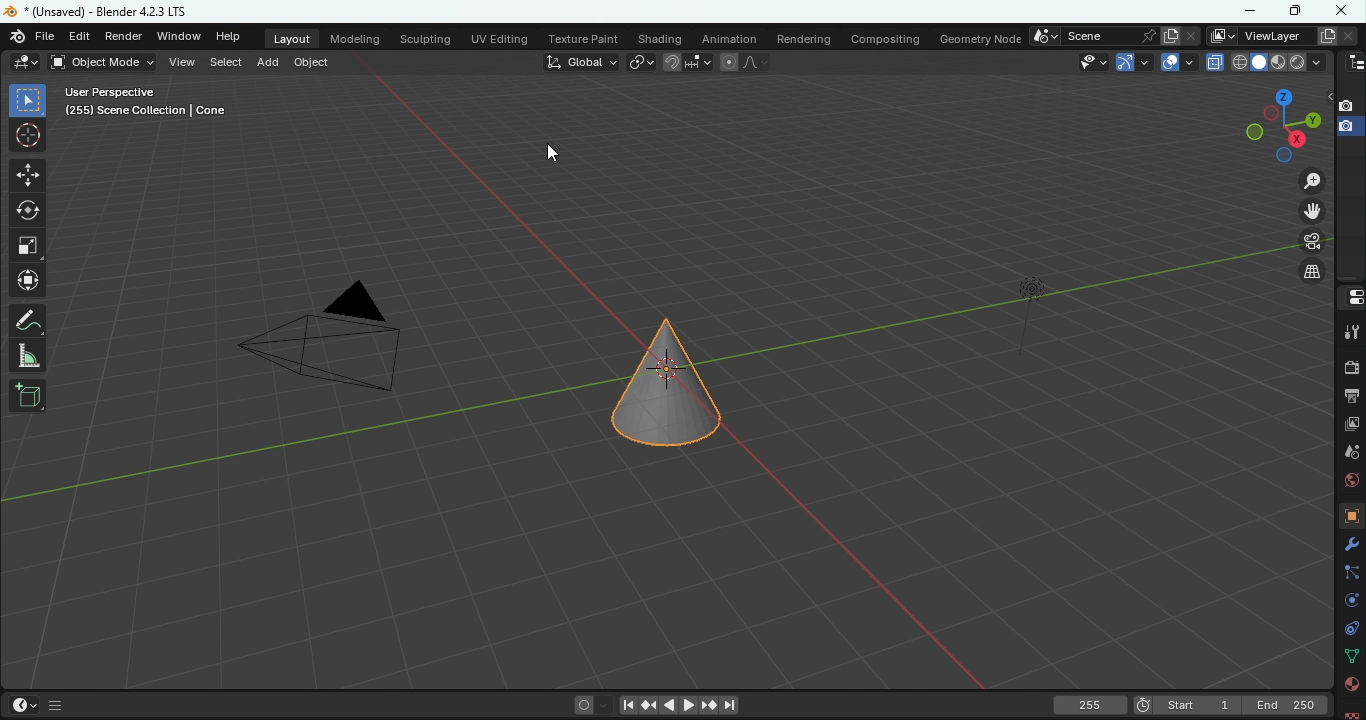 Image resolution: width=1366 pixels, height=720 pixels. Describe the element at coordinates (643, 383) in the screenshot. I see `Workspace` at that location.